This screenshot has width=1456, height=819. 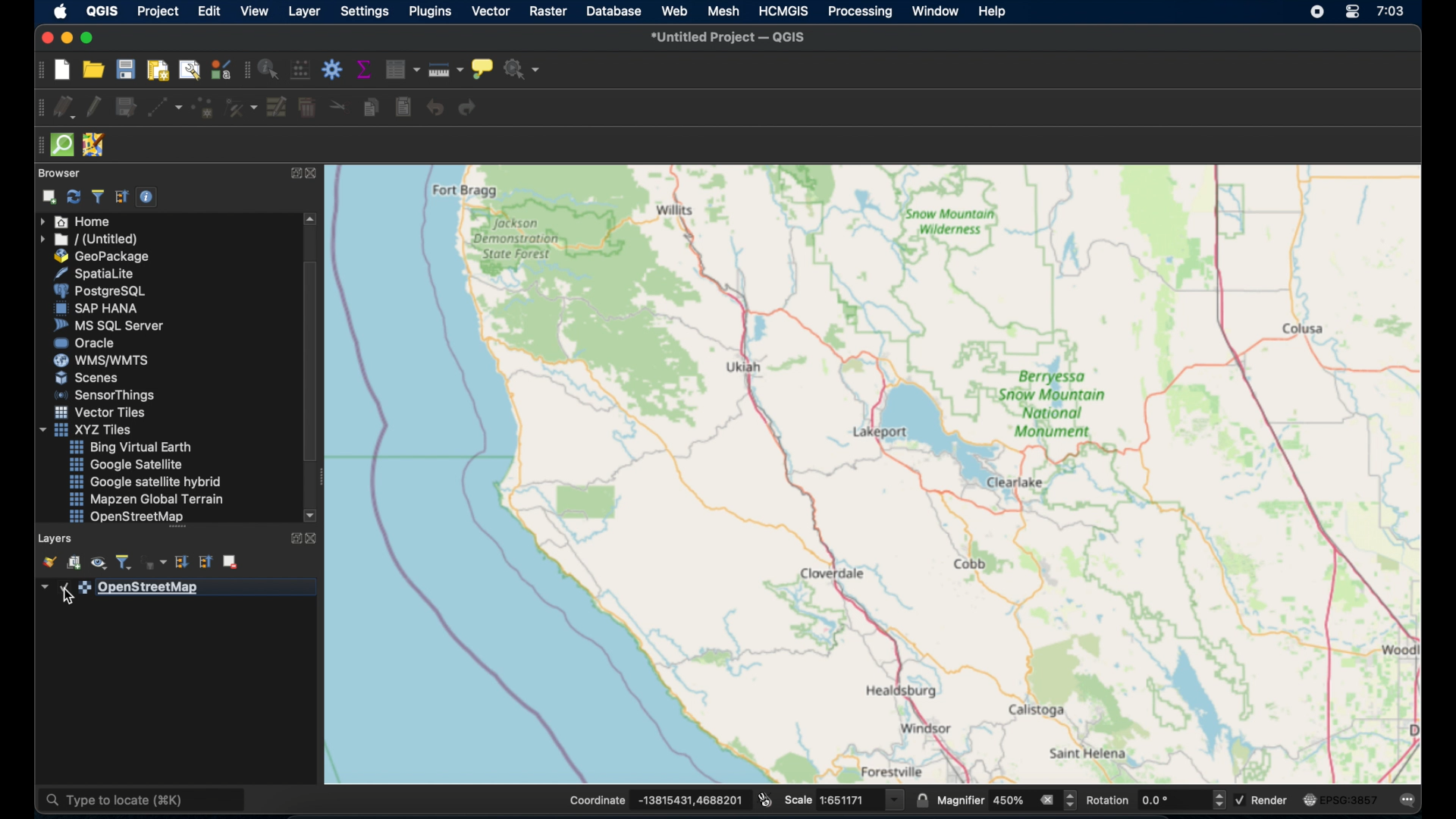 What do you see at coordinates (52, 538) in the screenshot?
I see `layers` at bounding box center [52, 538].